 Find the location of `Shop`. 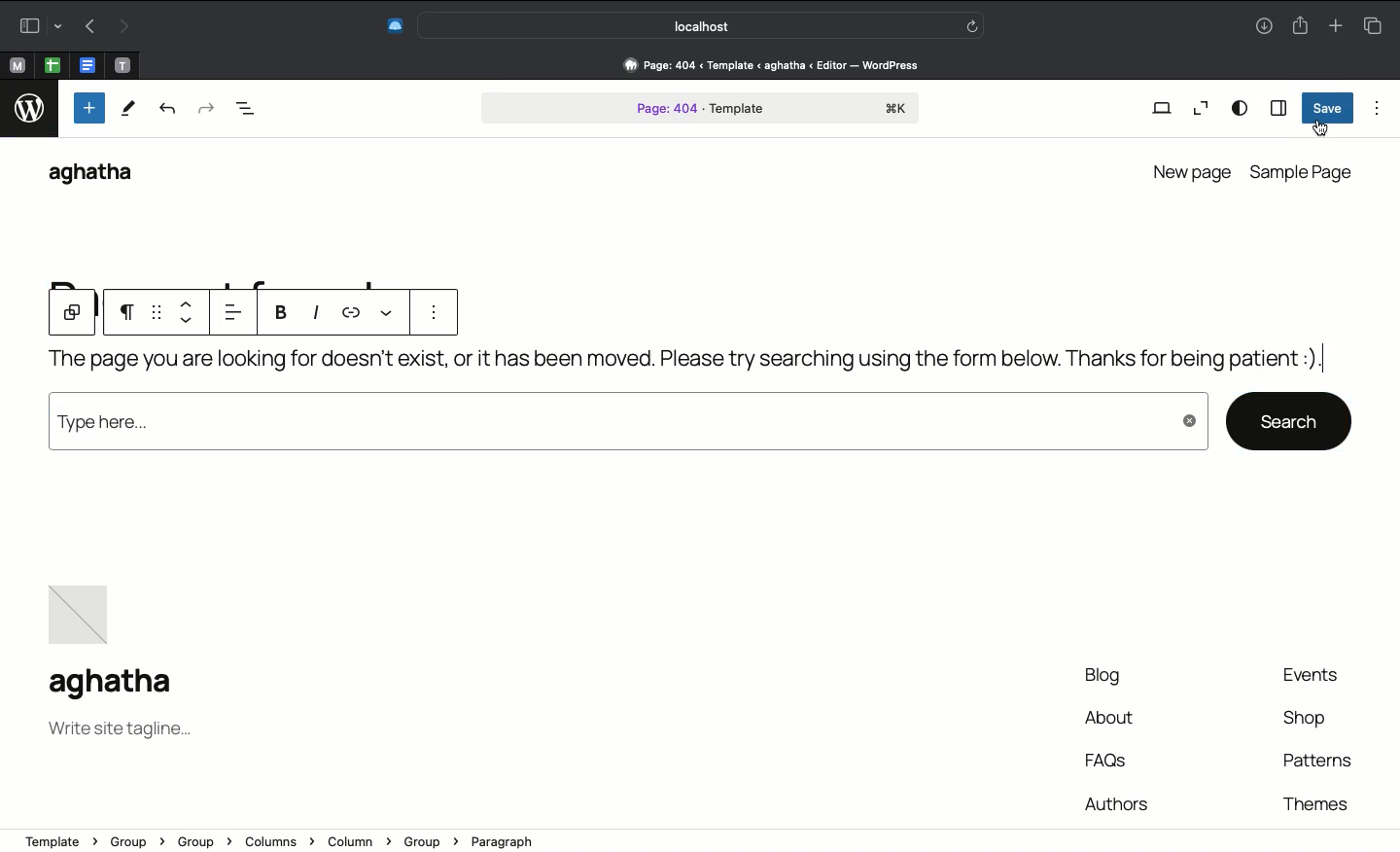

Shop is located at coordinates (1307, 722).